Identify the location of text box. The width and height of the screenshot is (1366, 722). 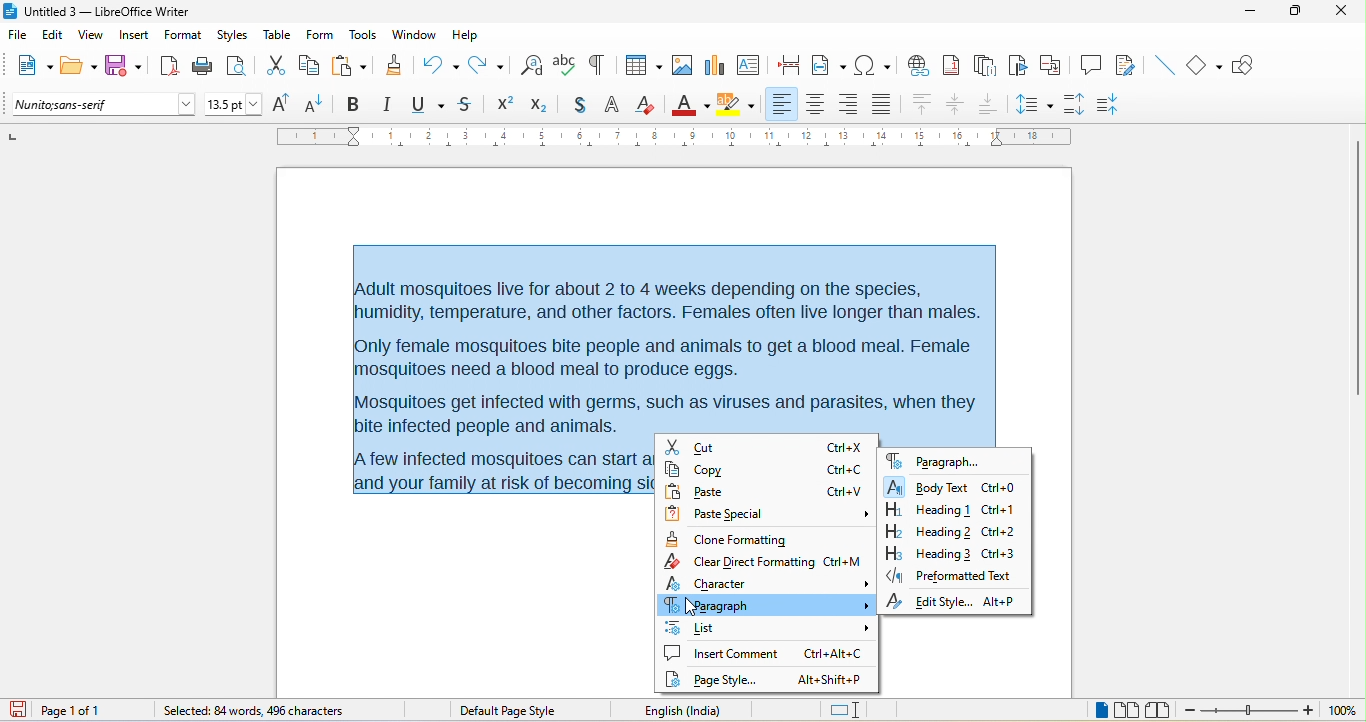
(748, 64).